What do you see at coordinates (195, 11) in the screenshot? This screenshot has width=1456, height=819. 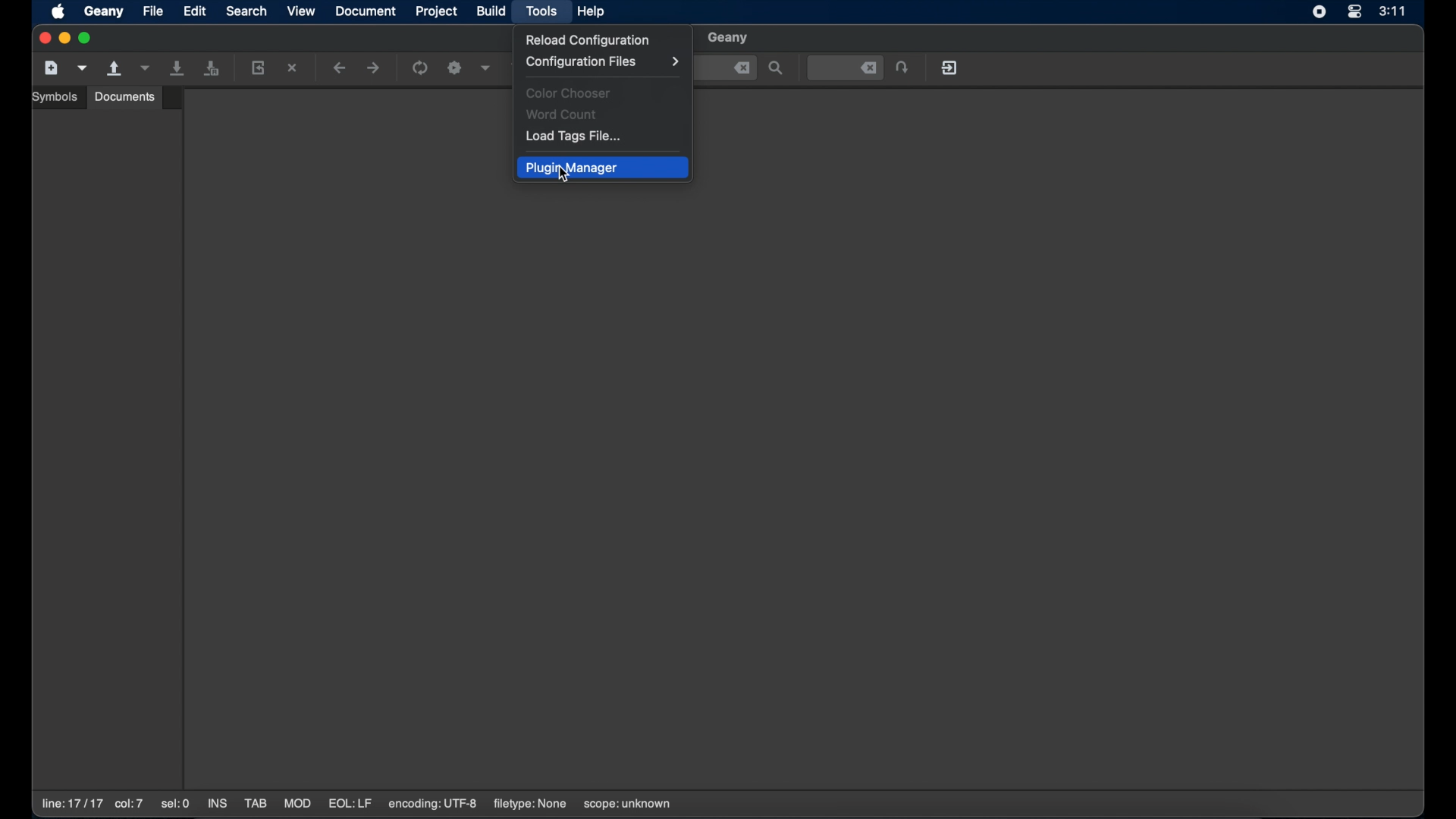 I see `edit` at bounding box center [195, 11].